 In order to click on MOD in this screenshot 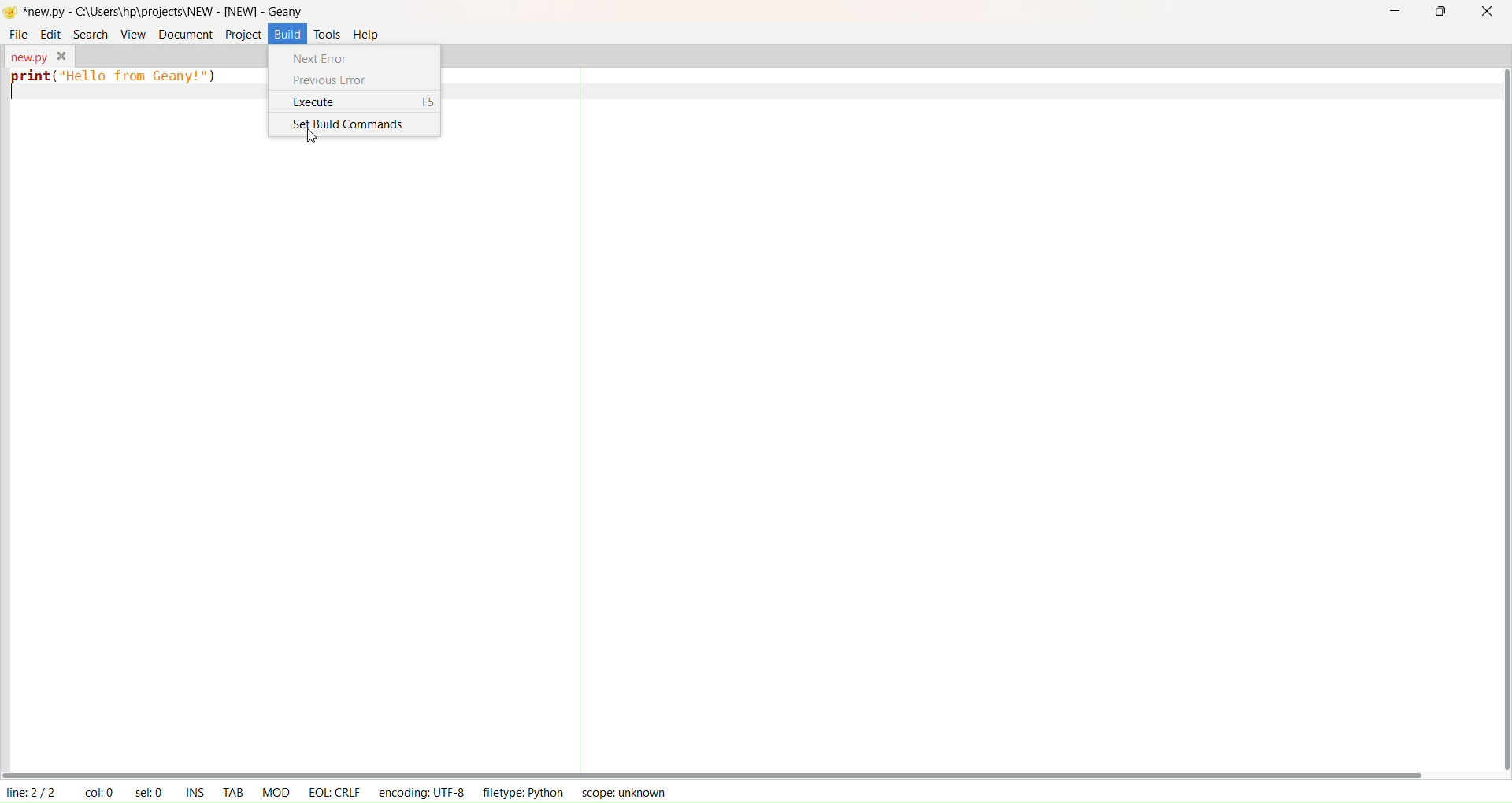, I will do `click(276, 790)`.